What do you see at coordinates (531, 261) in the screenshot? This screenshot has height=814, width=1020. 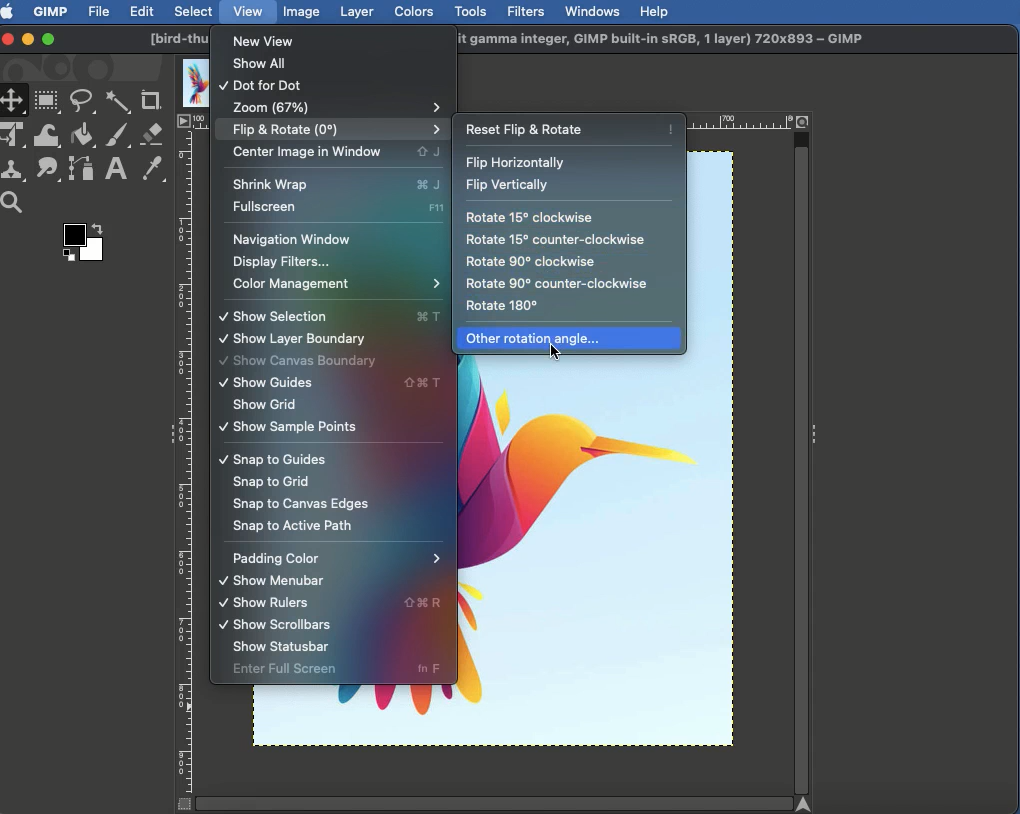 I see `Rotate 90 clockwise` at bounding box center [531, 261].